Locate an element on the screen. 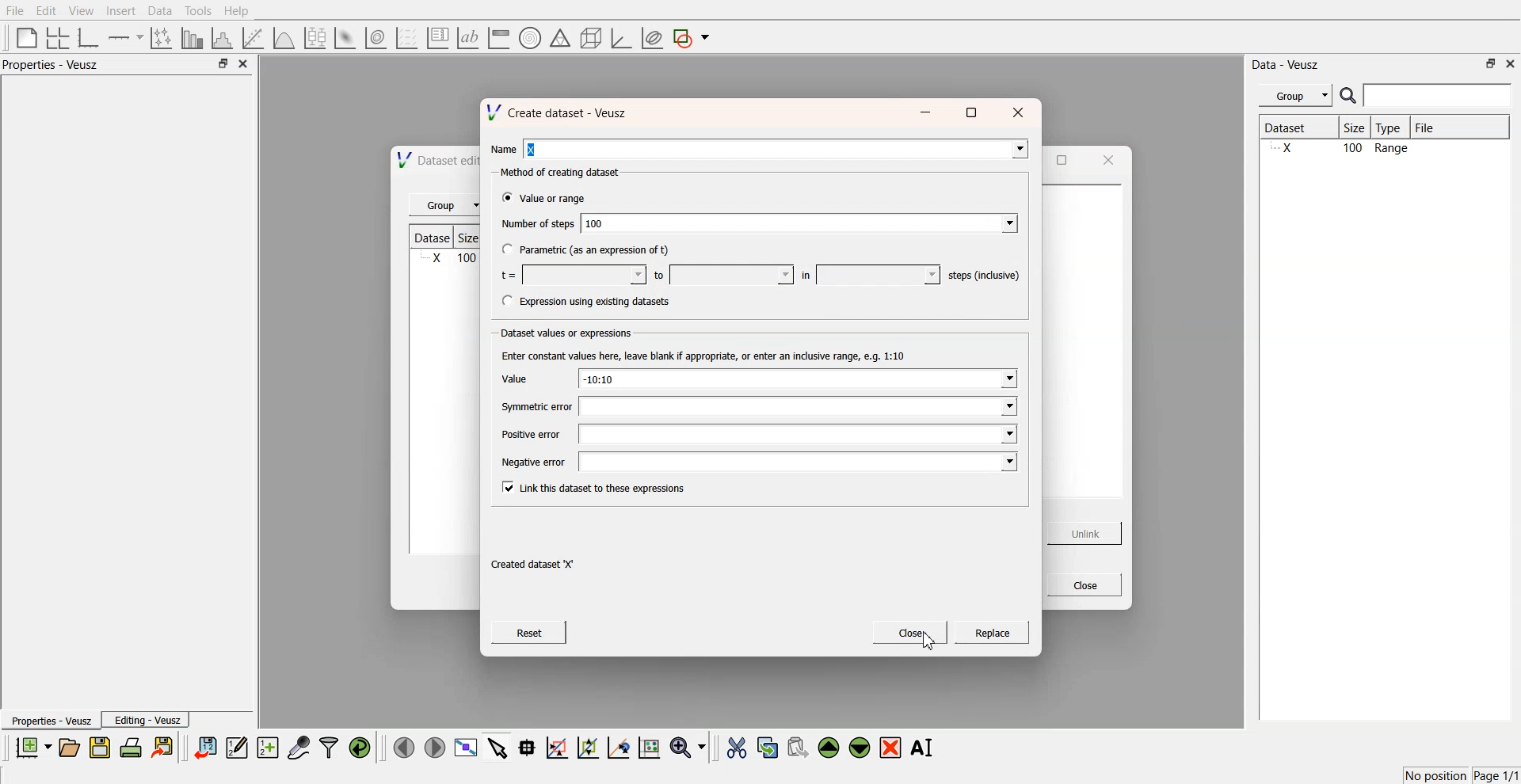  3d graph is located at coordinates (620, 39).